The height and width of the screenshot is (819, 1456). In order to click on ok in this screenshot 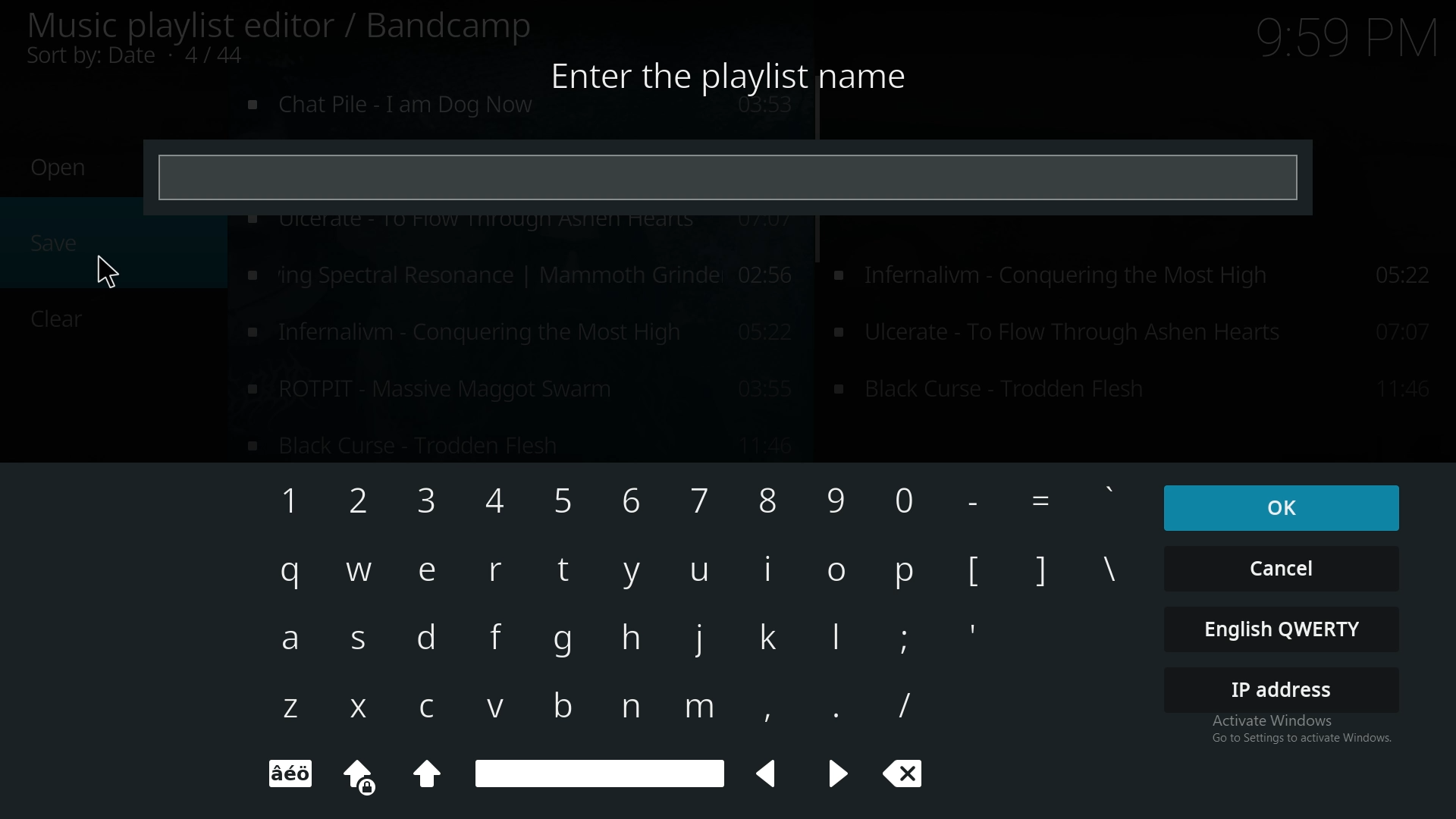, I will do `click(1276, 506)`.